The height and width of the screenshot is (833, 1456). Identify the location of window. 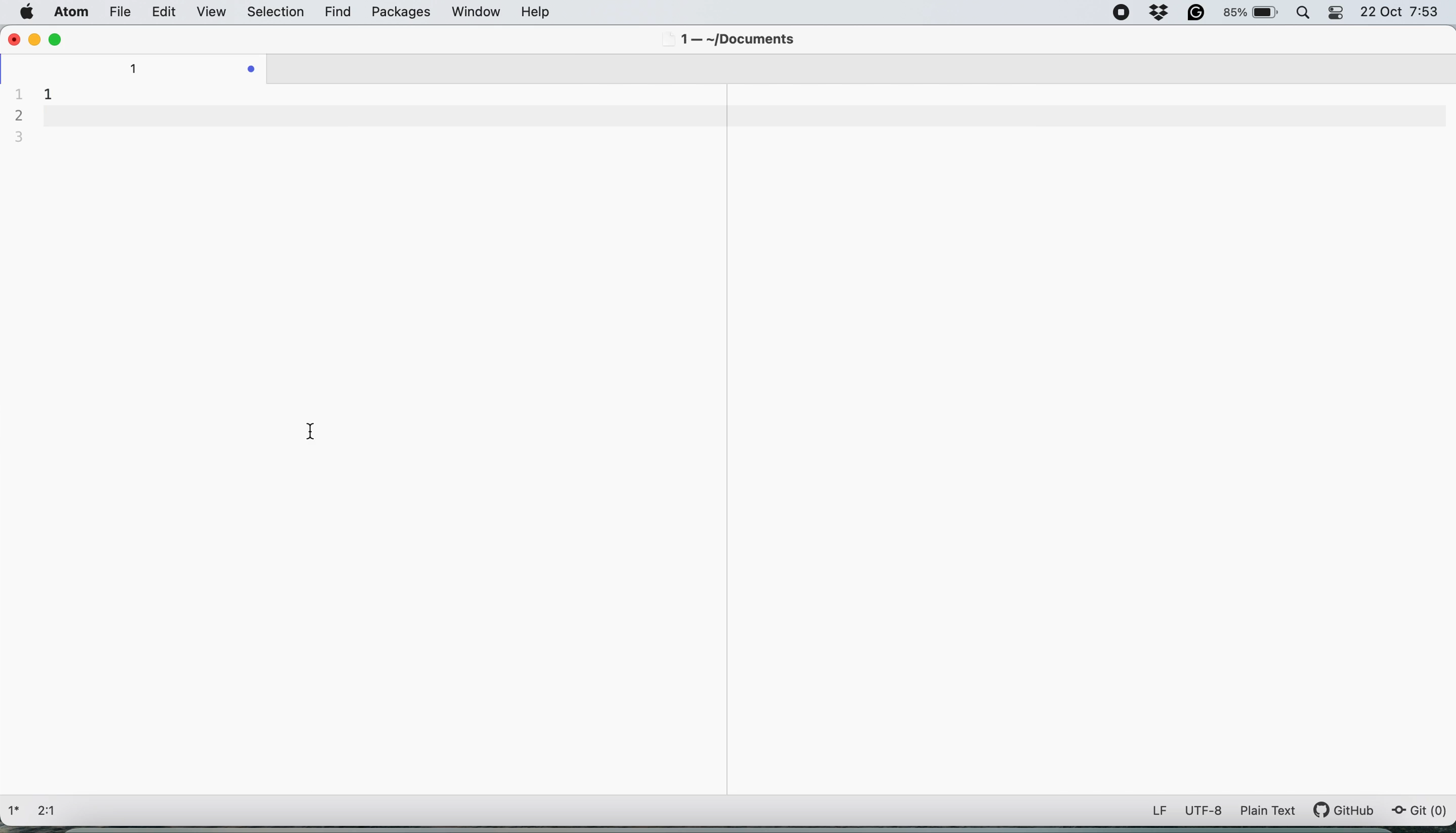
(475, 11).